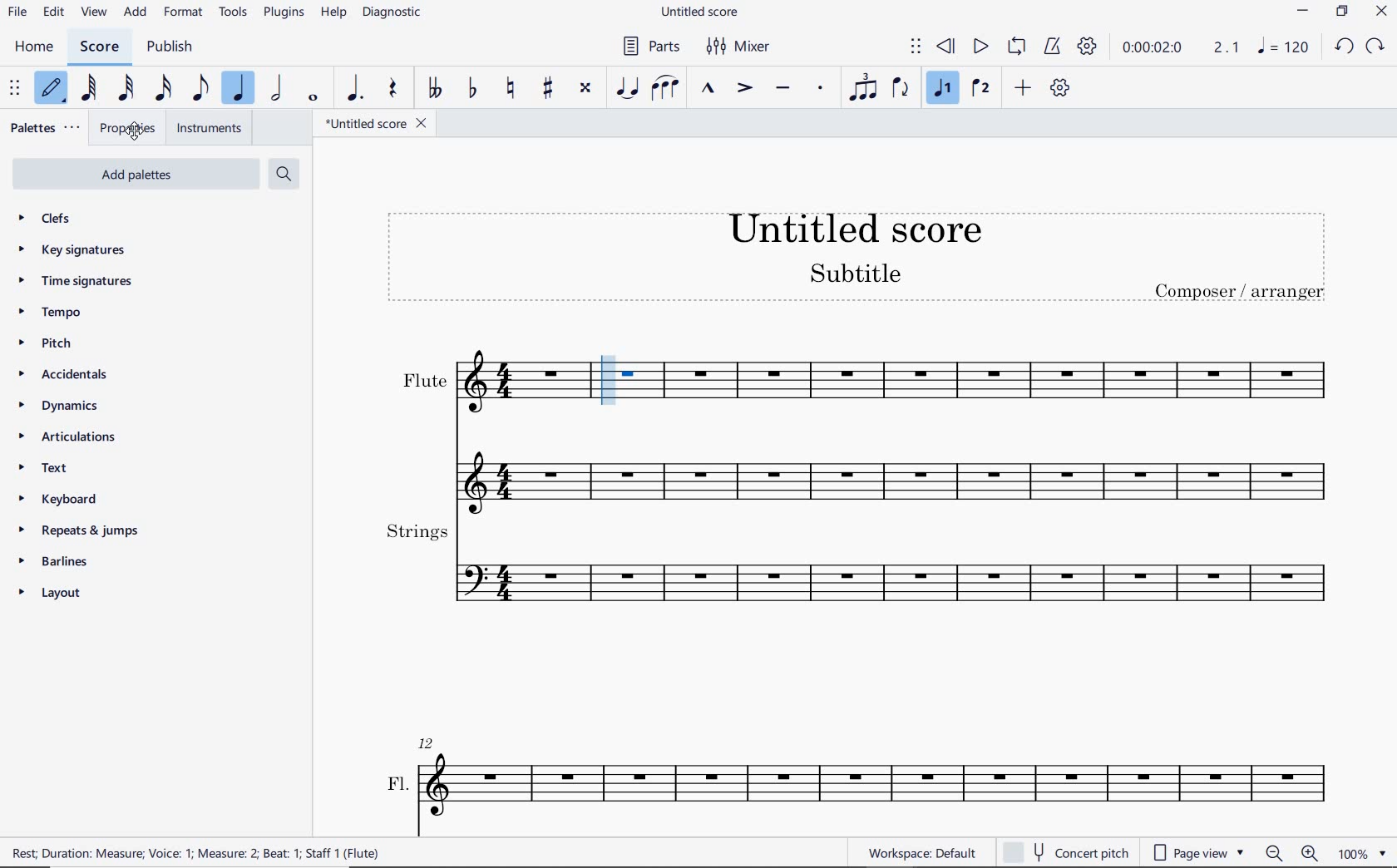 This screenshot has width=1397, height=868. I want to click on ADD, so click(135, 12).